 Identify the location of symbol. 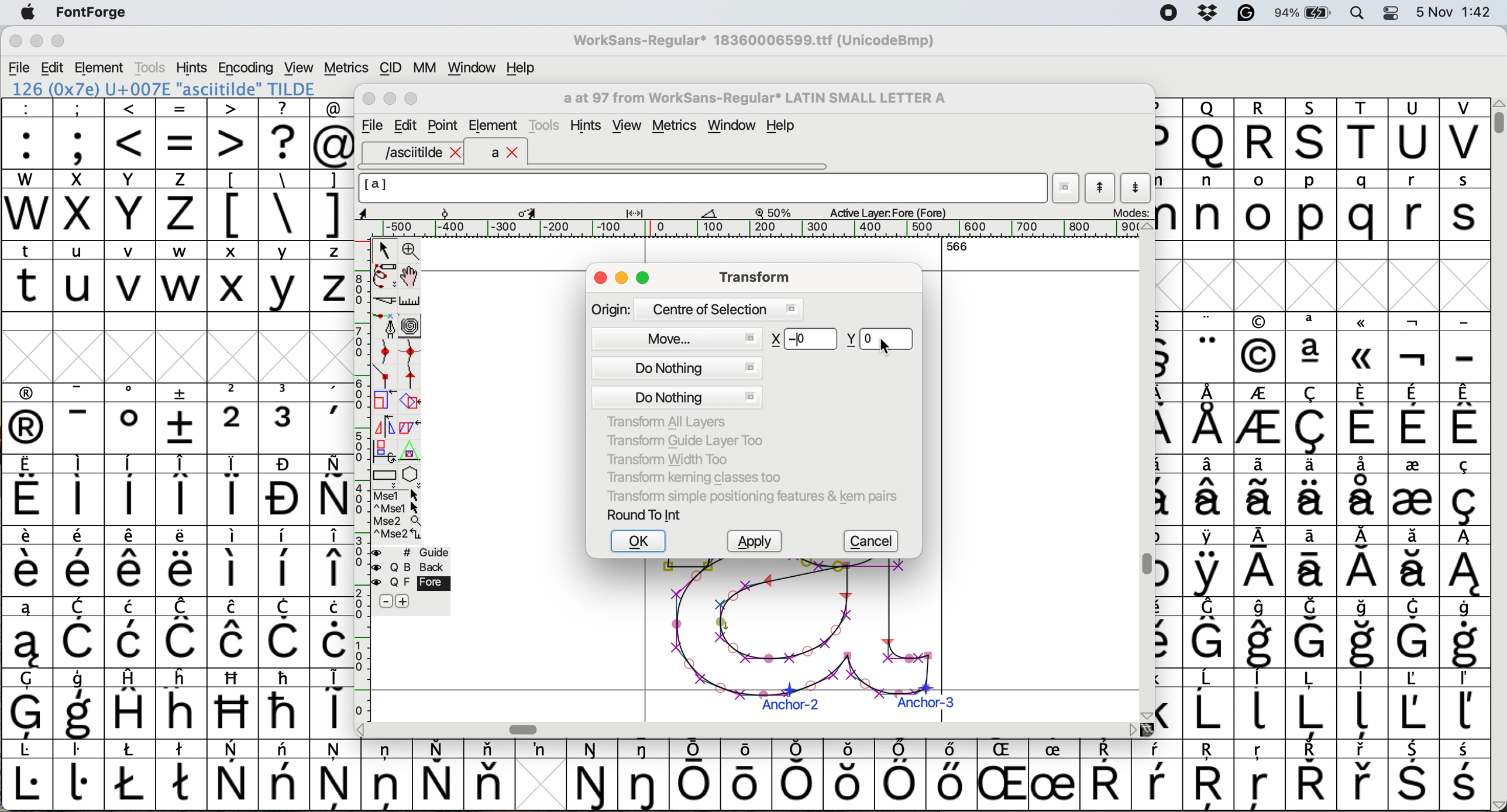
(387, 773).